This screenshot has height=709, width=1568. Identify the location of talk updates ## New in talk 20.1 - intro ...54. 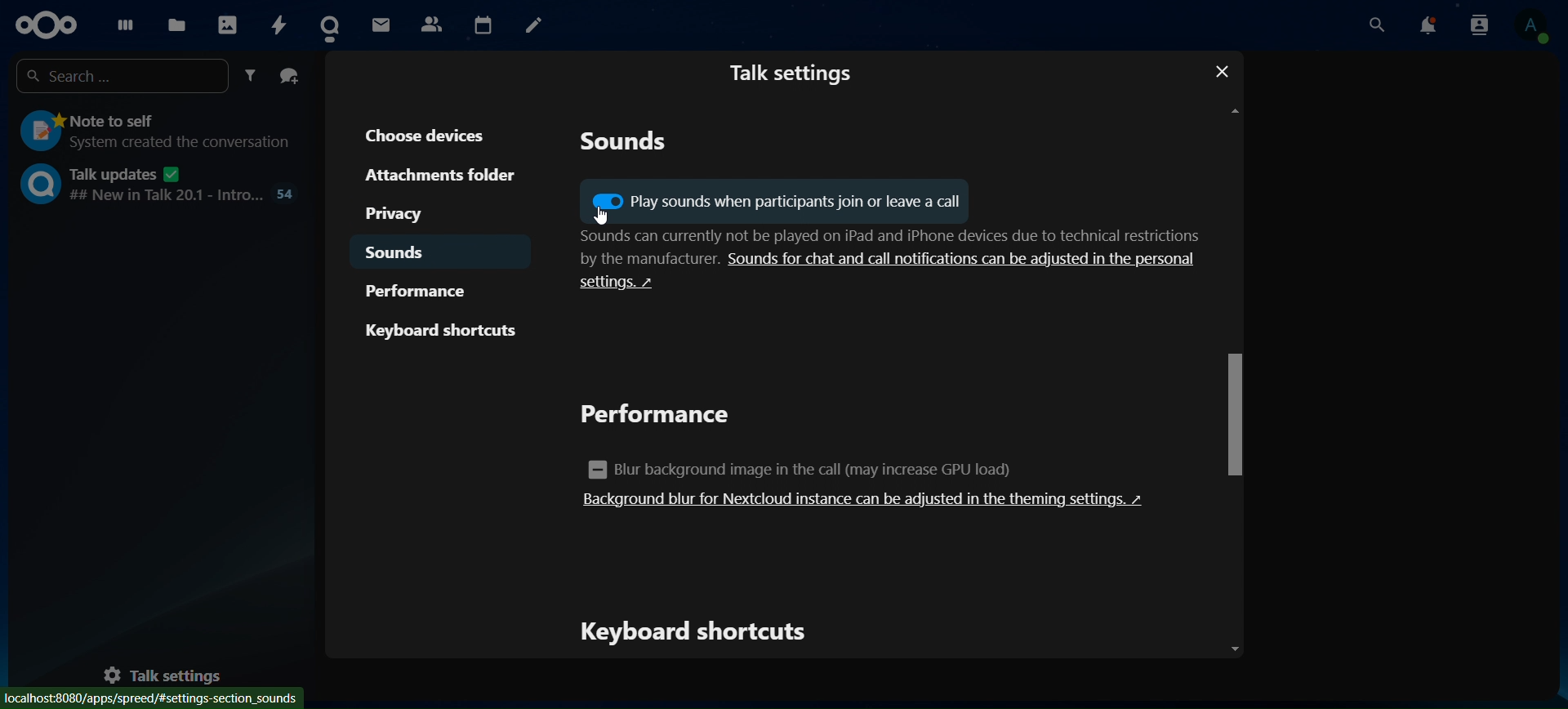
(158, 183).